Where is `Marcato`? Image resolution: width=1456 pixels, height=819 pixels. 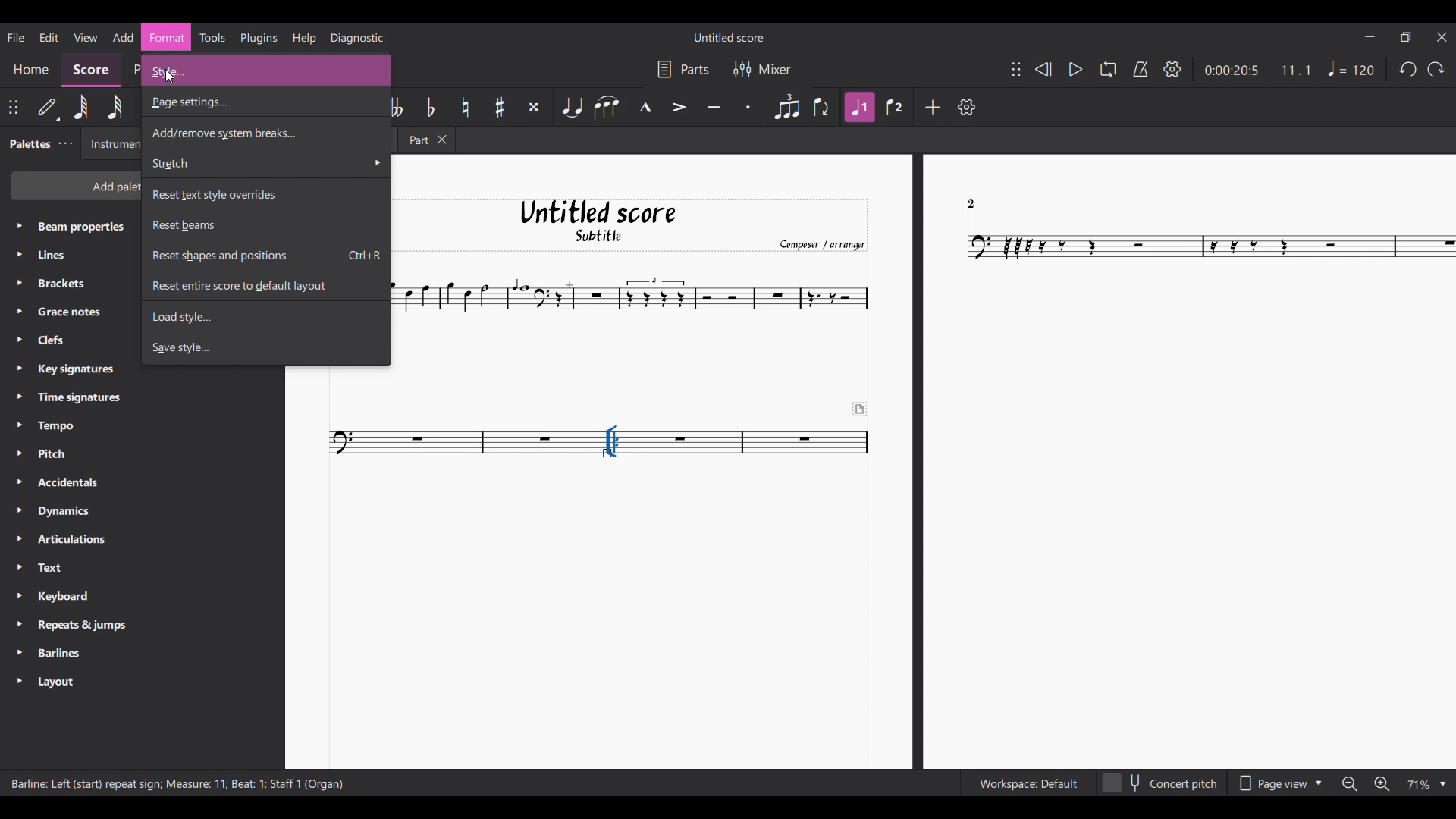
Marcato is located at coordinates (643, 106).